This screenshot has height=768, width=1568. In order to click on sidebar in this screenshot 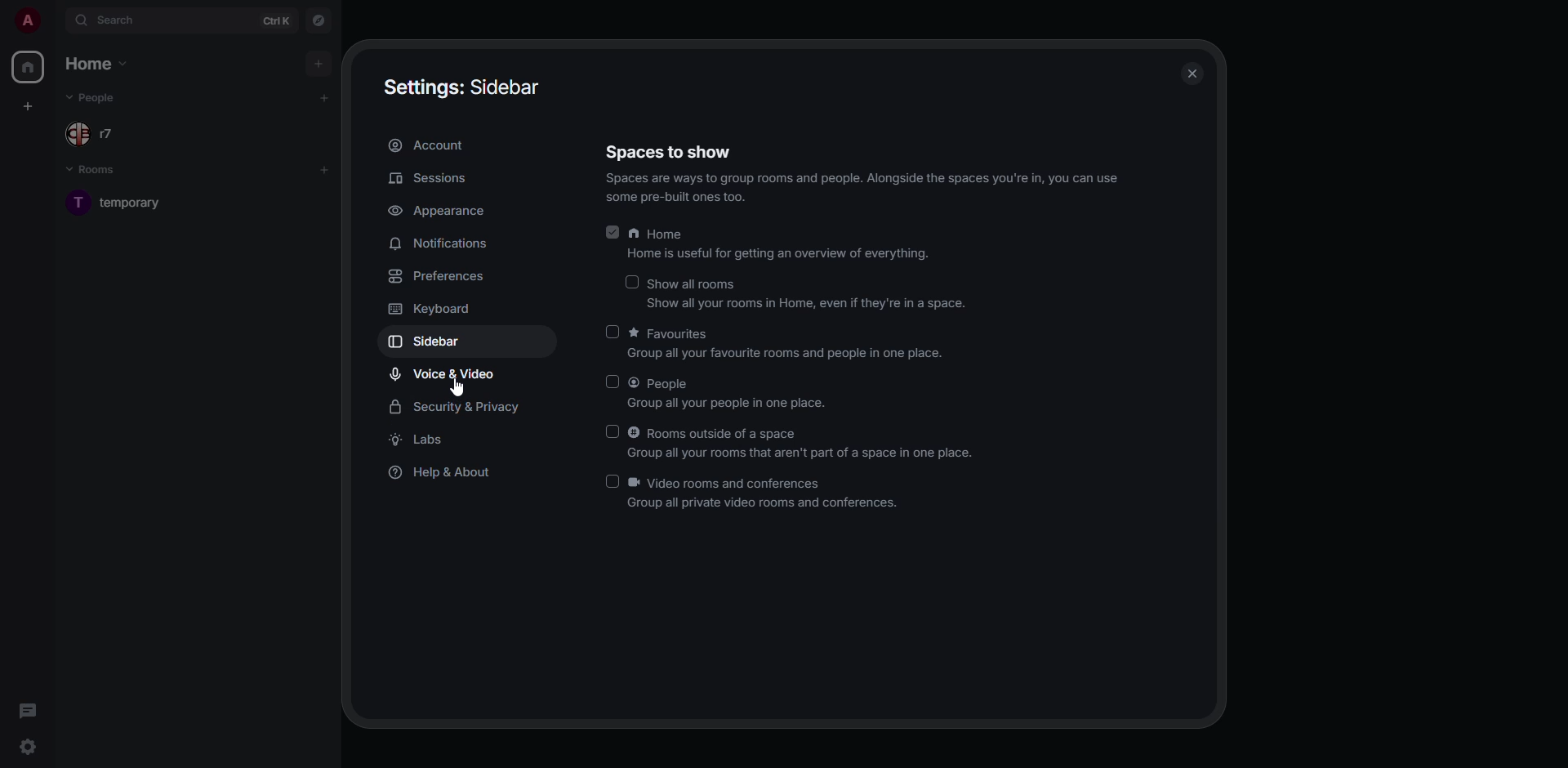, I will do `click(427, 342)`.